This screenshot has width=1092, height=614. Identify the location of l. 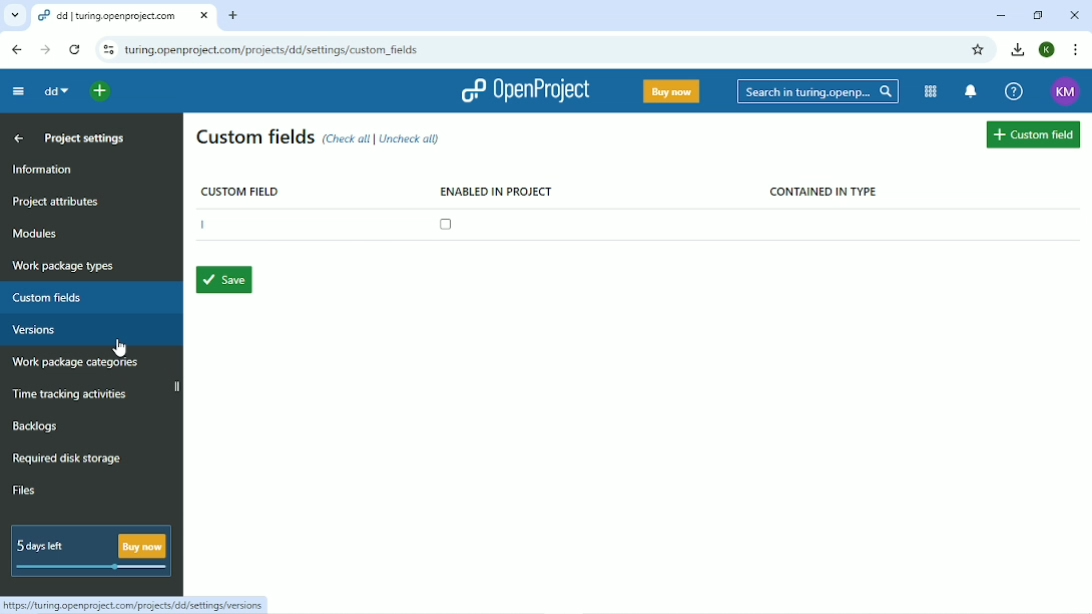
(202, 226).